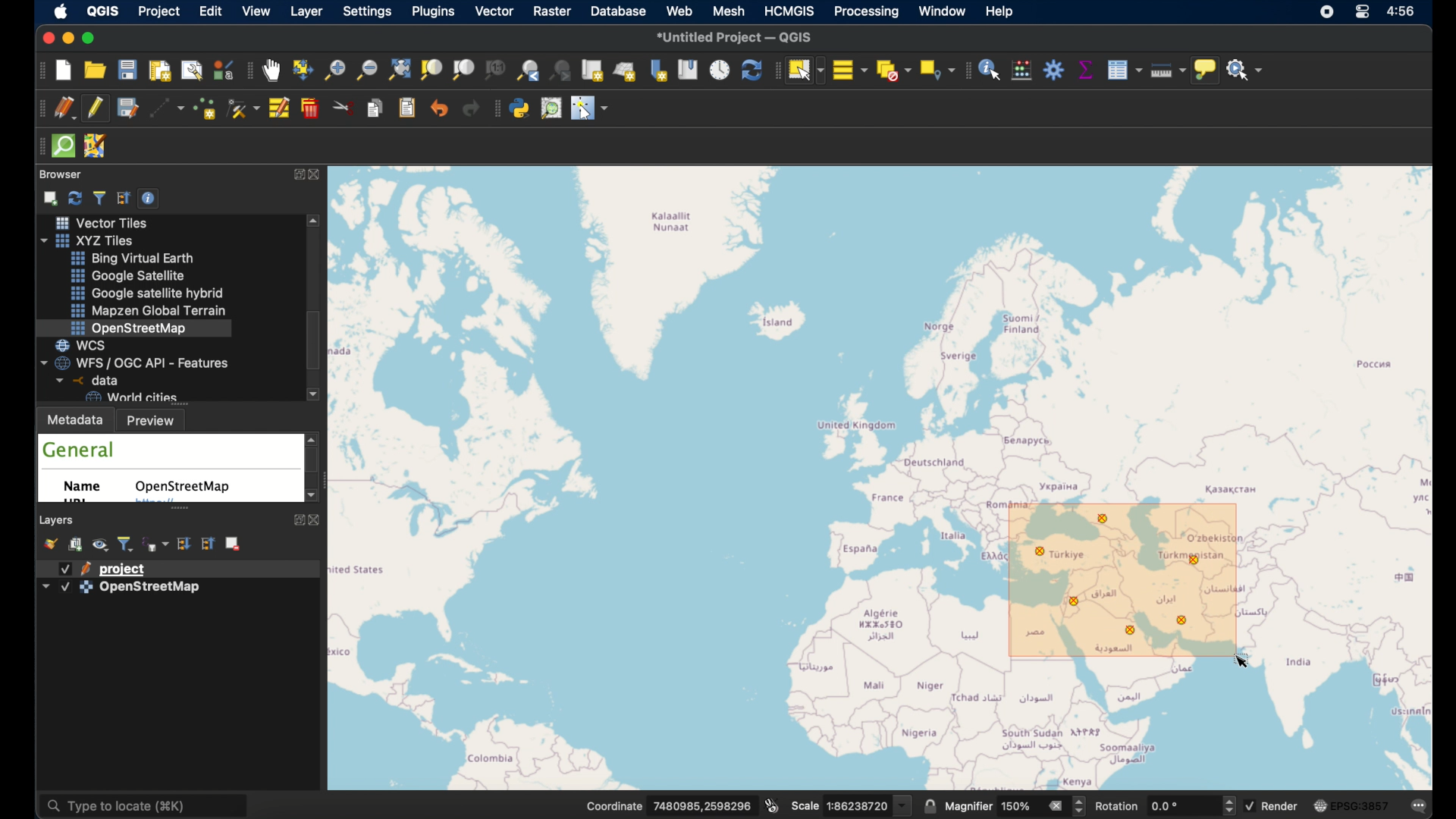 The image size is (1456, 819). I want to click on google satellite, so click(128, 276).